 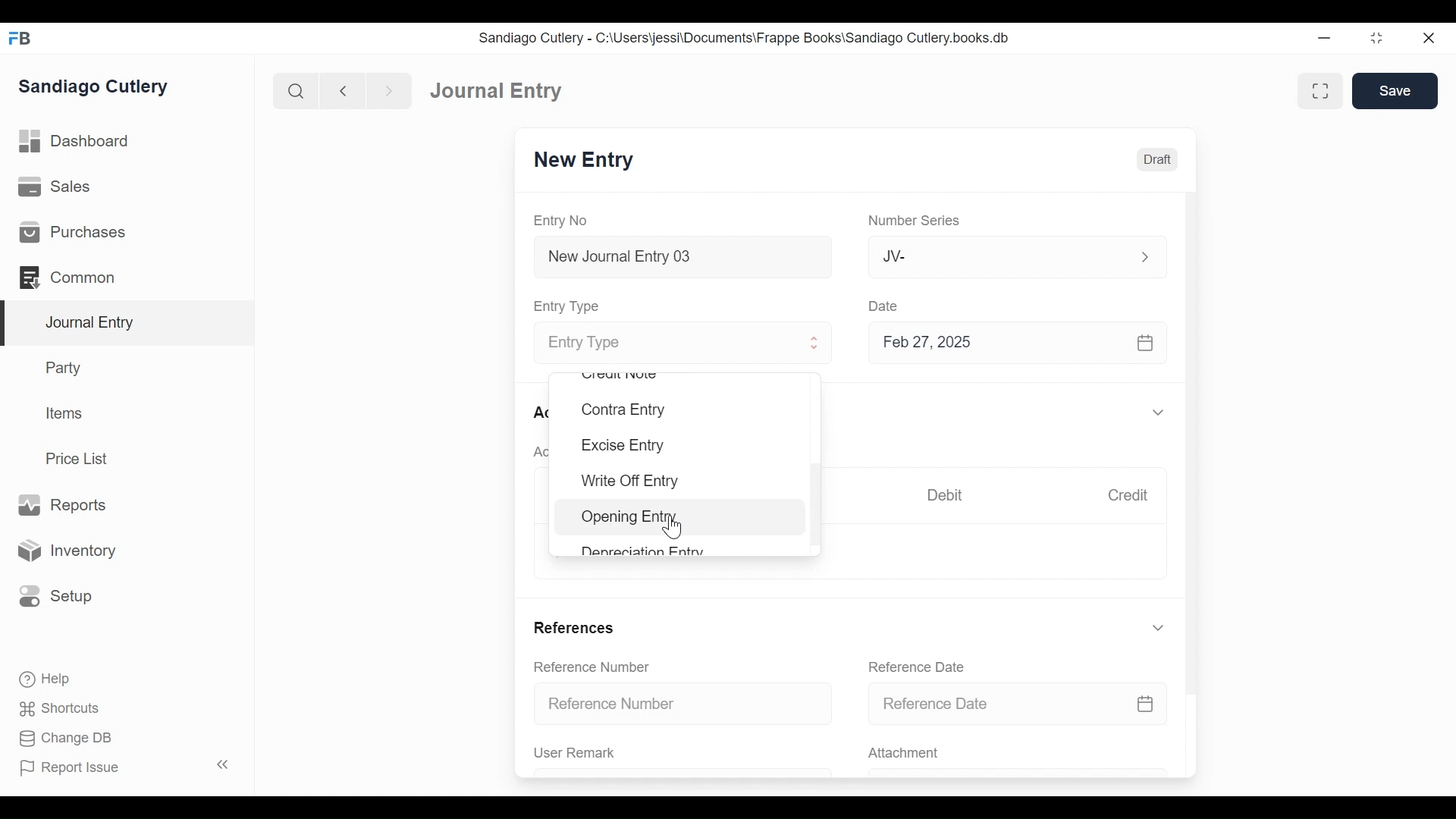 I want to click on Sandiago Cutlery - C:\Users\jessi\Documents\Frappe Books\Sandiago Cutlery.books.db, so click(x=745, y=37).